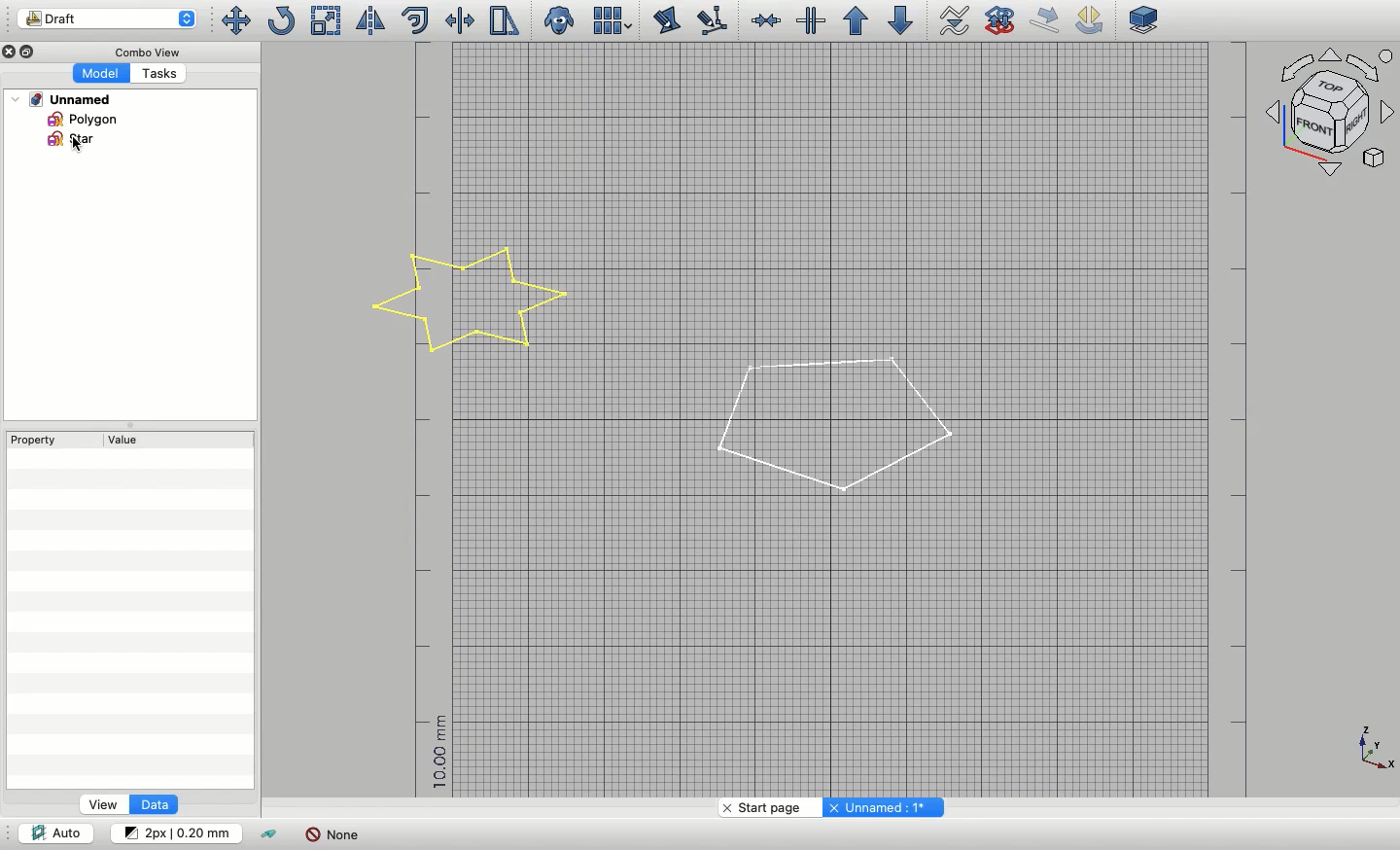  What do you see at coordinates (415, 20) in the screenshot?
I see `Offset` at bounding box center [415, 20].